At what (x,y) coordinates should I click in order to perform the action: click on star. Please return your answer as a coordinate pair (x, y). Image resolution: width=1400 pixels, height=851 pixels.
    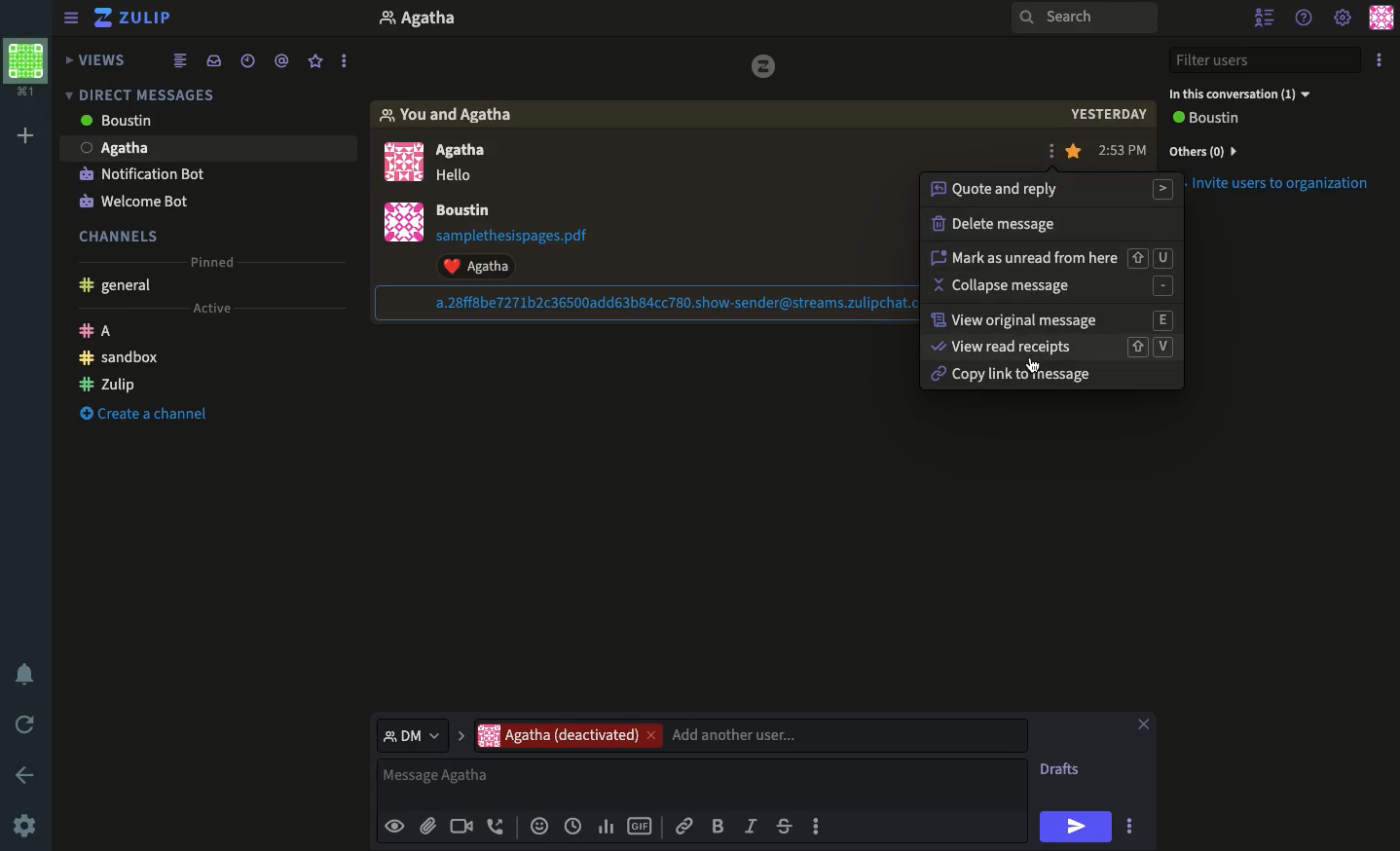
    Looking at the image, I should click on (1075, 152).